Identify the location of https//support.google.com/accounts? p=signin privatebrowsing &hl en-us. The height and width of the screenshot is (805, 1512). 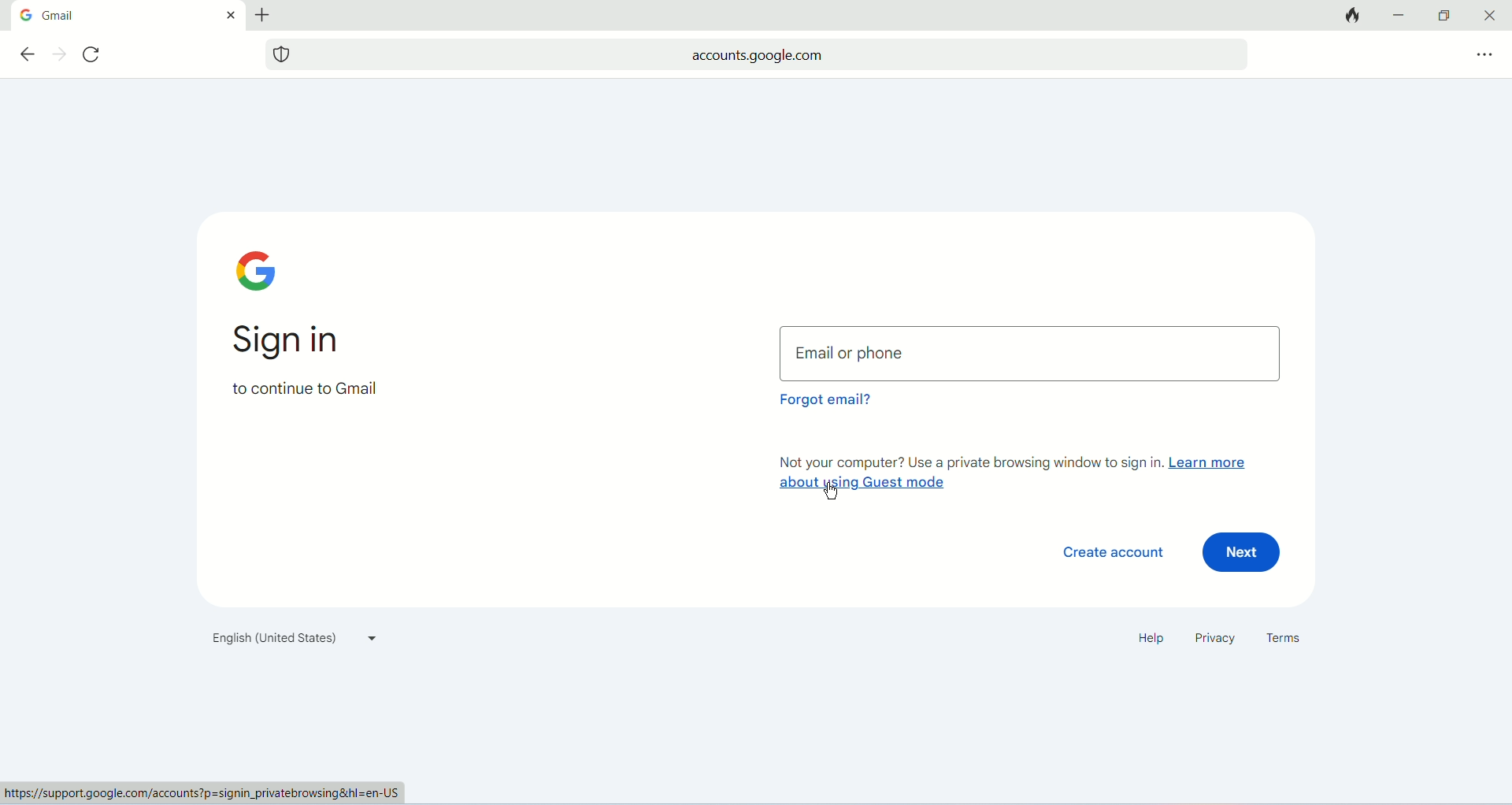
(205, 793).